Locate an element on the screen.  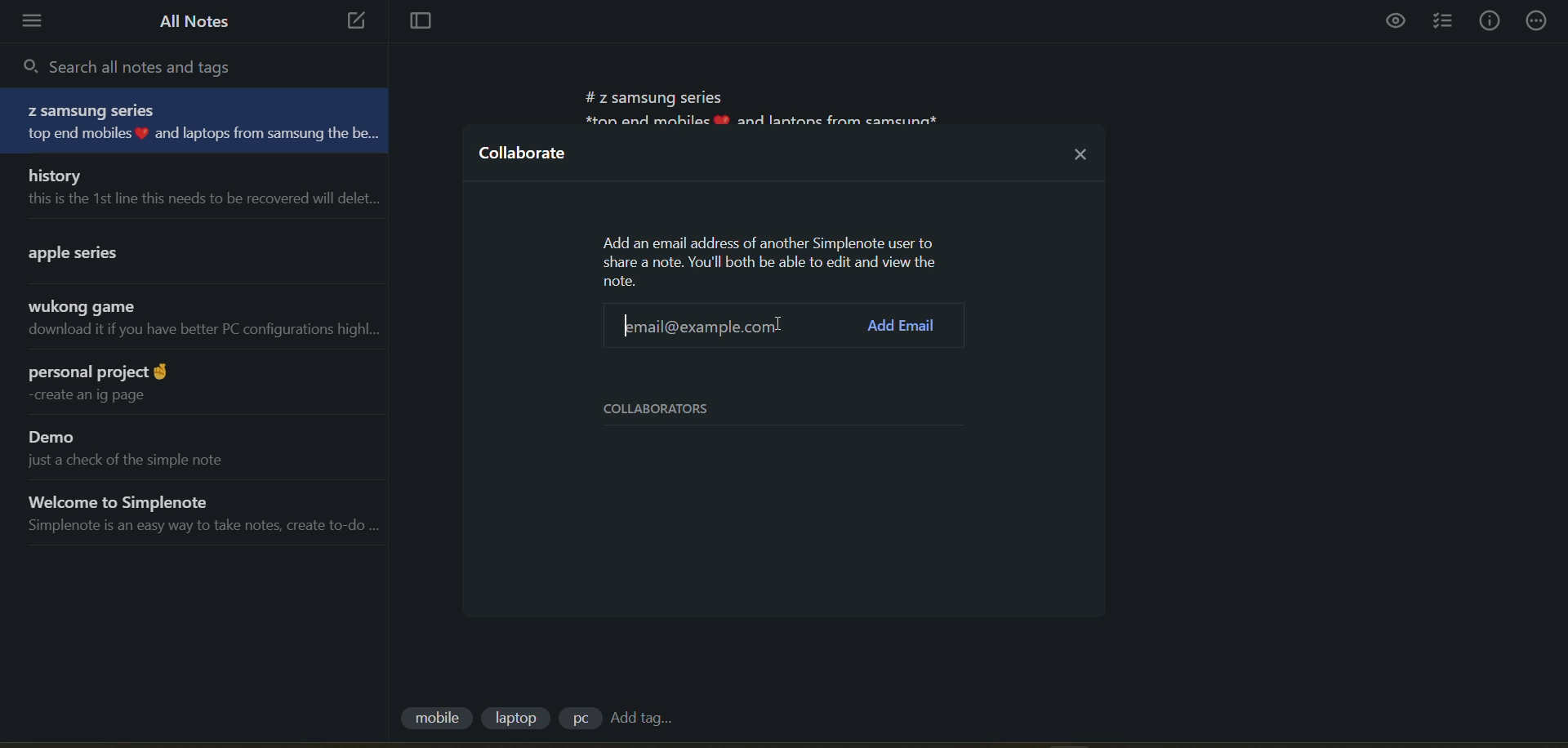
menu is located at coordinates (38, 21).